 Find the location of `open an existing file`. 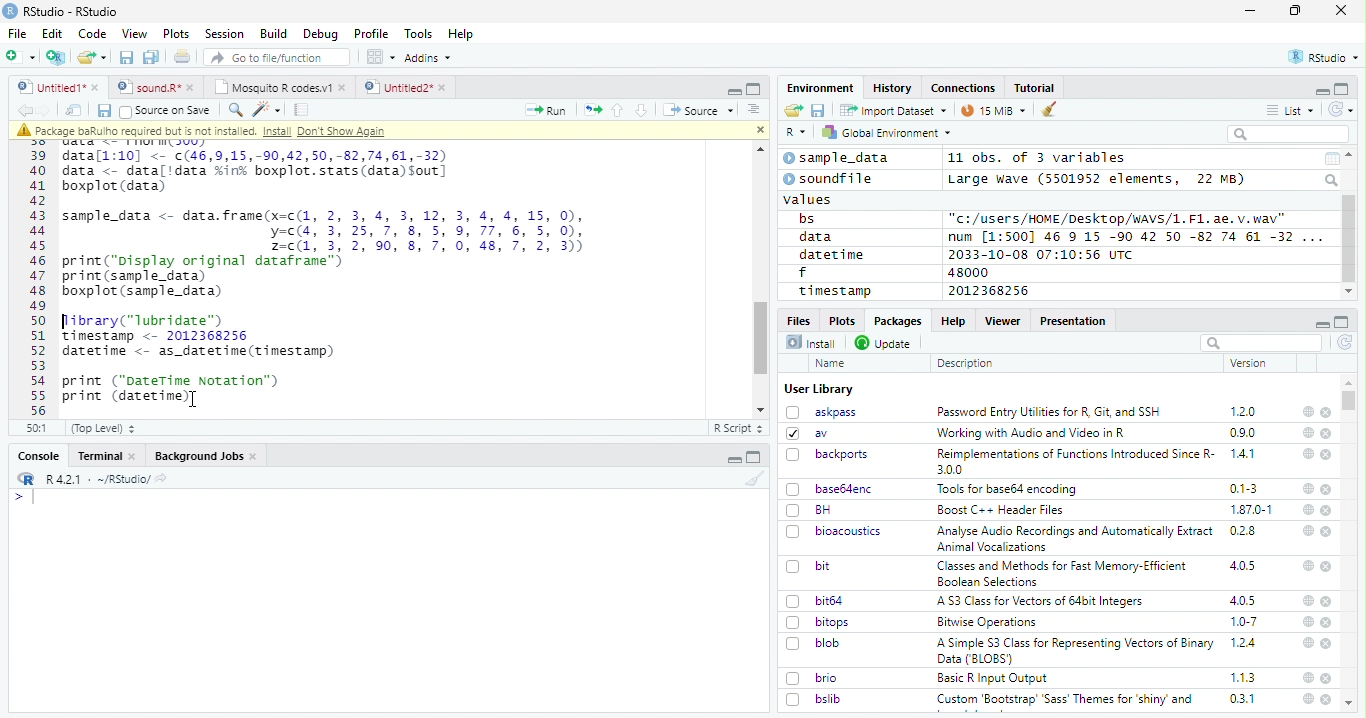

open an existing file is located at coordinates (91, 58).